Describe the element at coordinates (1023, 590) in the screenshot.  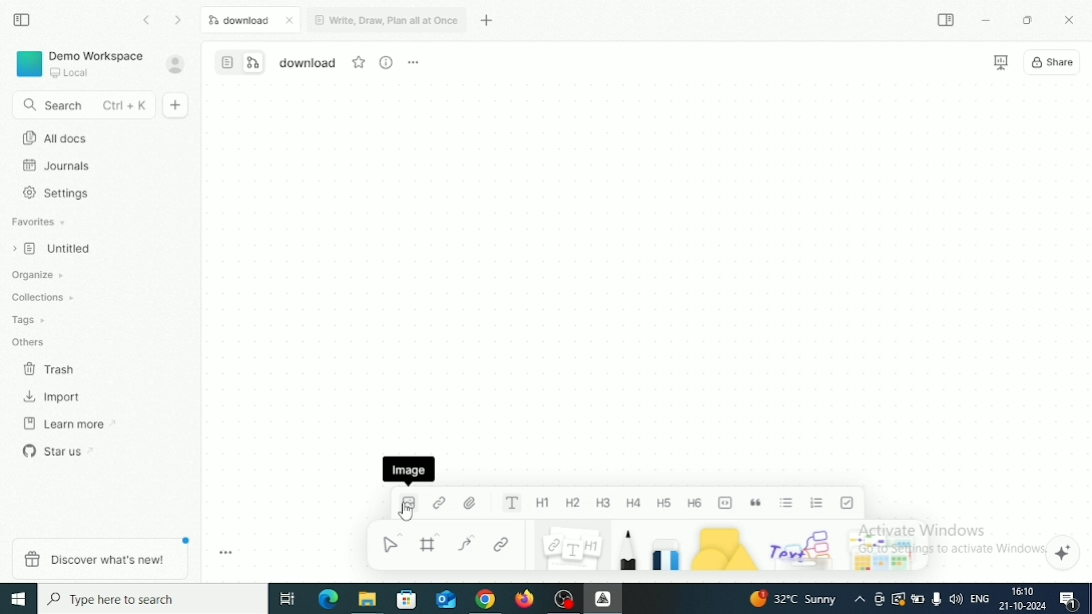
I see `Time` at that location.